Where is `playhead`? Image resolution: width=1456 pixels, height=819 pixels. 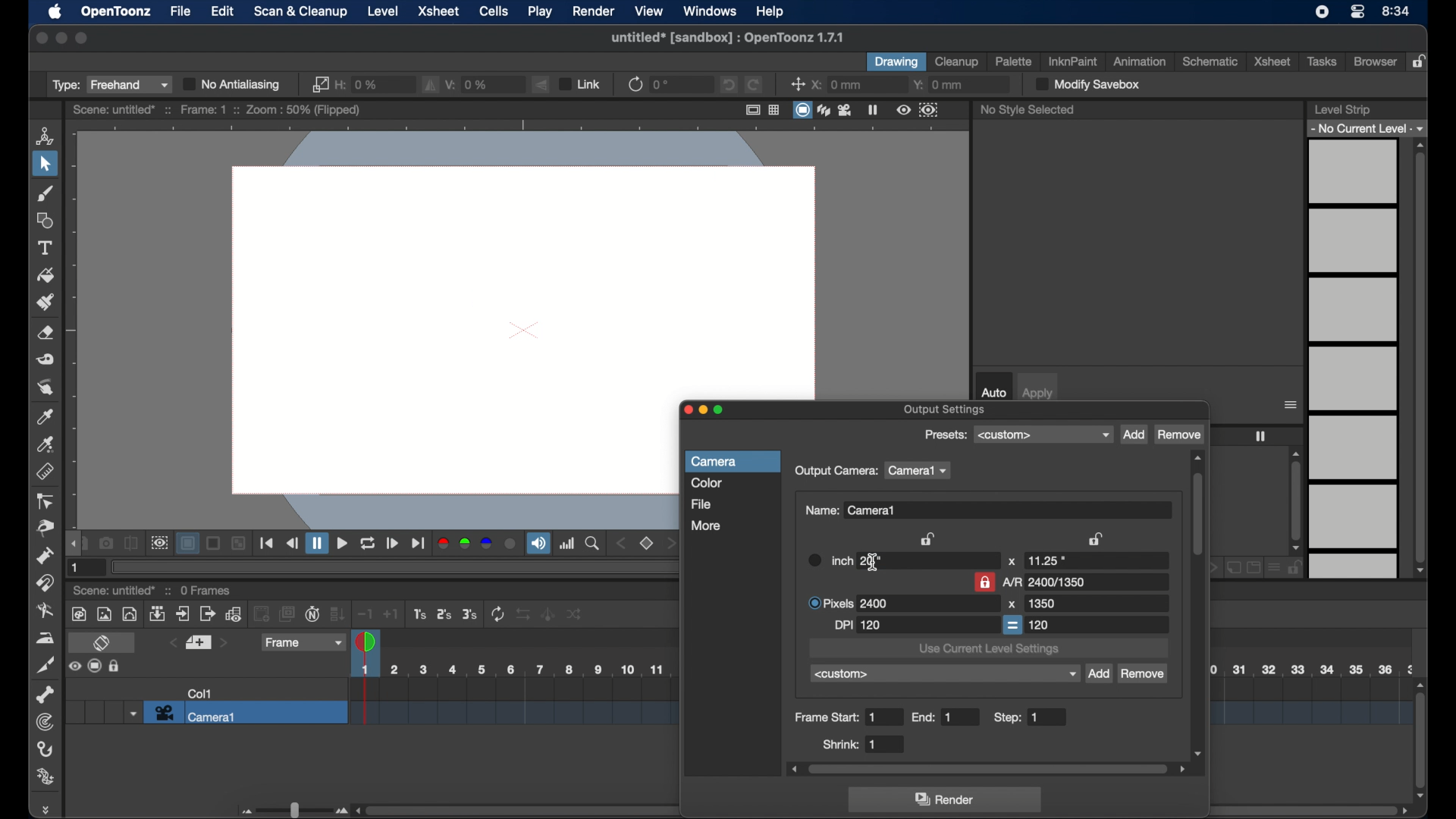 playhead is located at coordinates (367, 641).